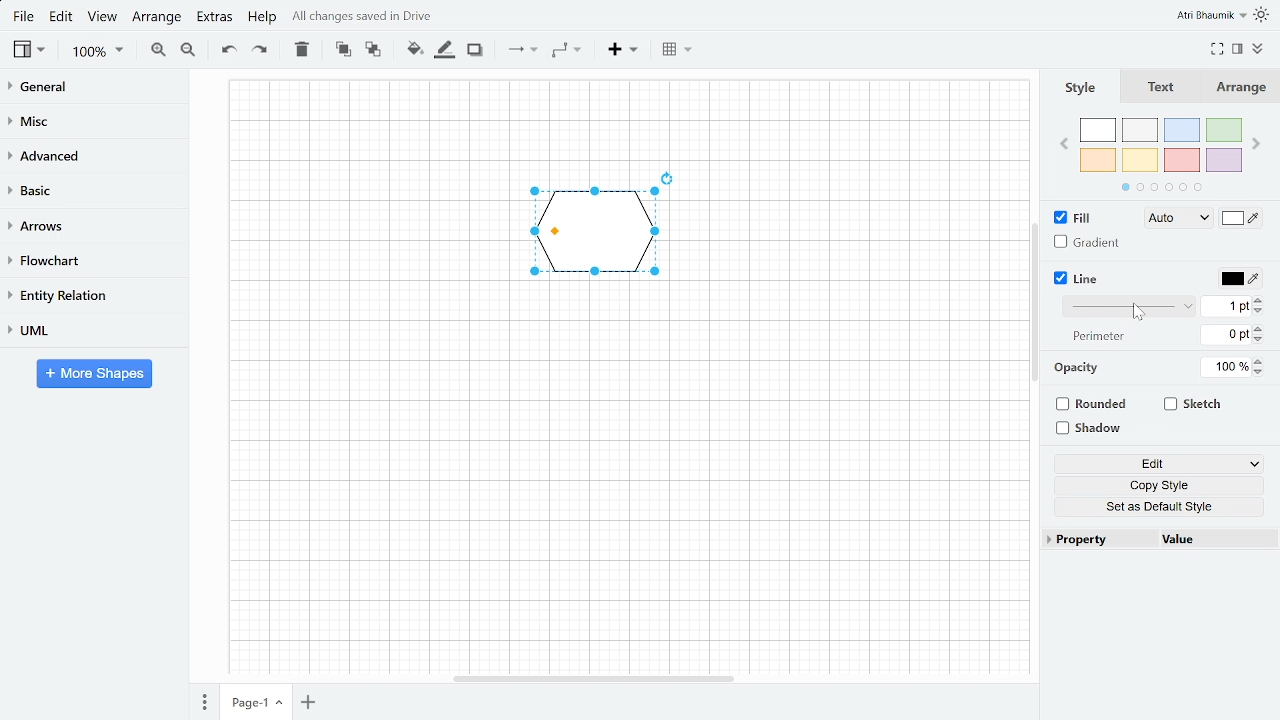 The image size is (1280, 720). I want to click on Perimeter, so click(1100, 335).